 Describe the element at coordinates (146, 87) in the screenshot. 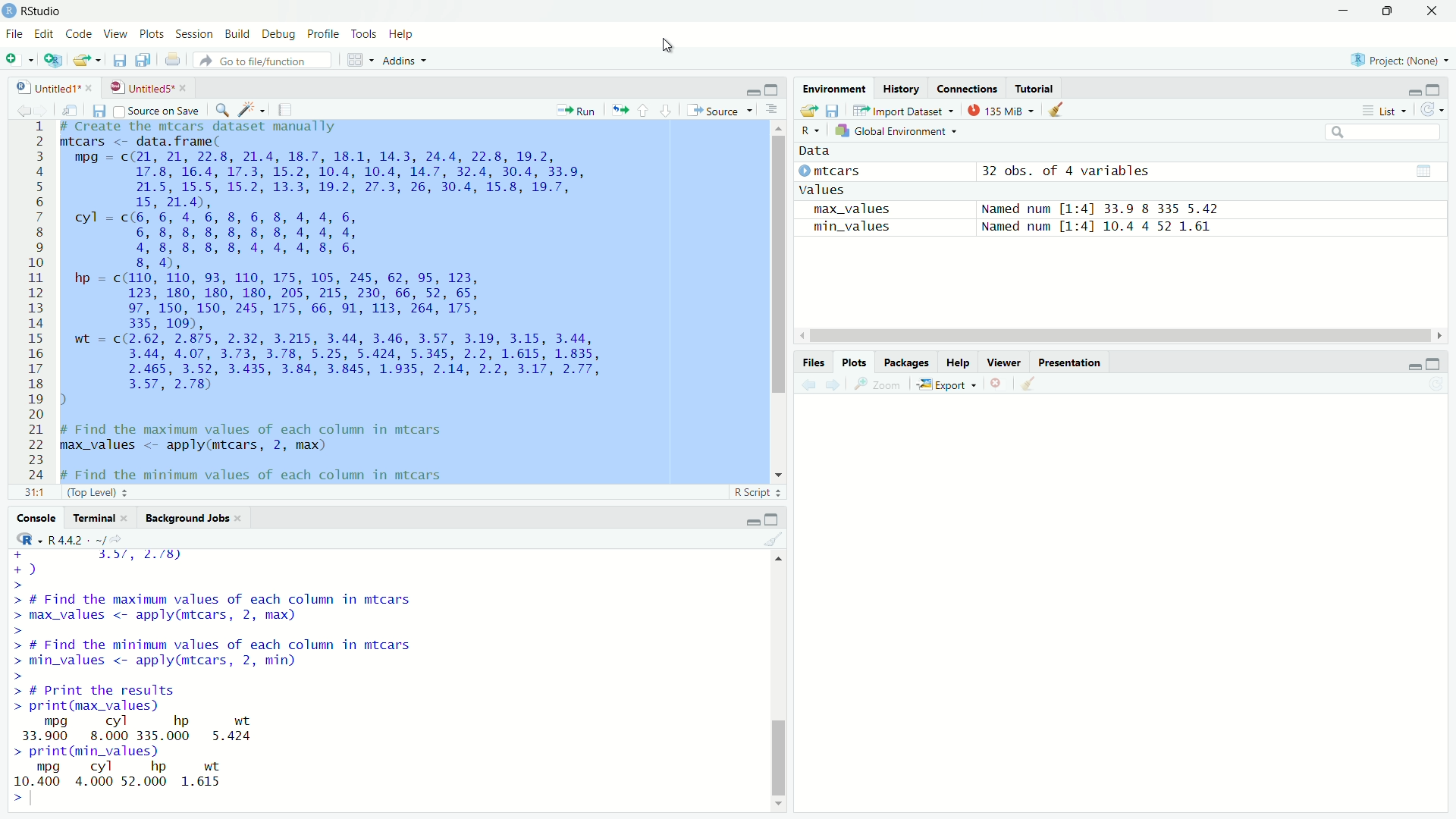

I see `| Untitled5* *` at that location.